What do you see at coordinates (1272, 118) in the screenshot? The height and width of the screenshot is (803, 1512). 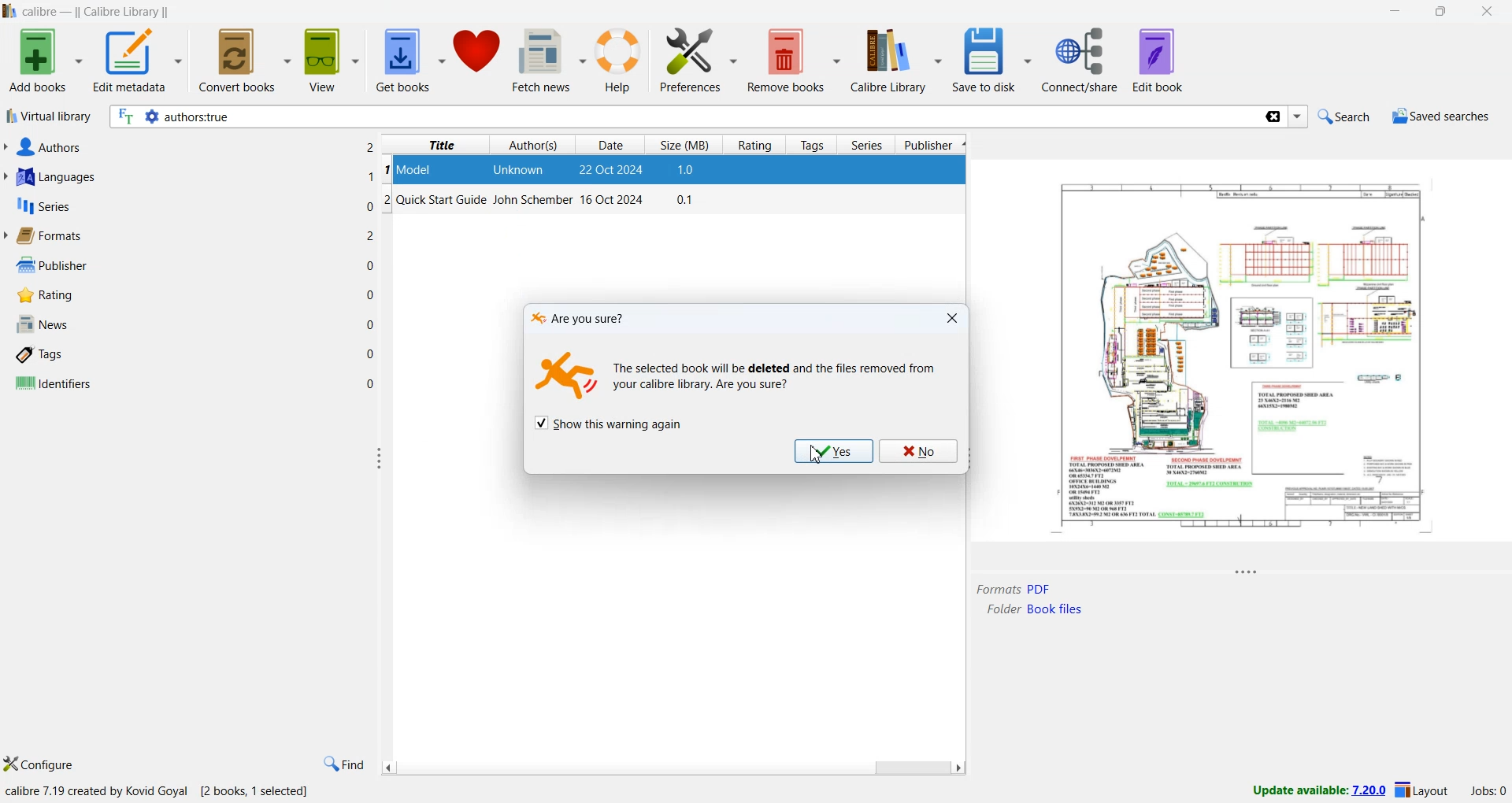 I see `clear search` at bounding box center [1272, 118].